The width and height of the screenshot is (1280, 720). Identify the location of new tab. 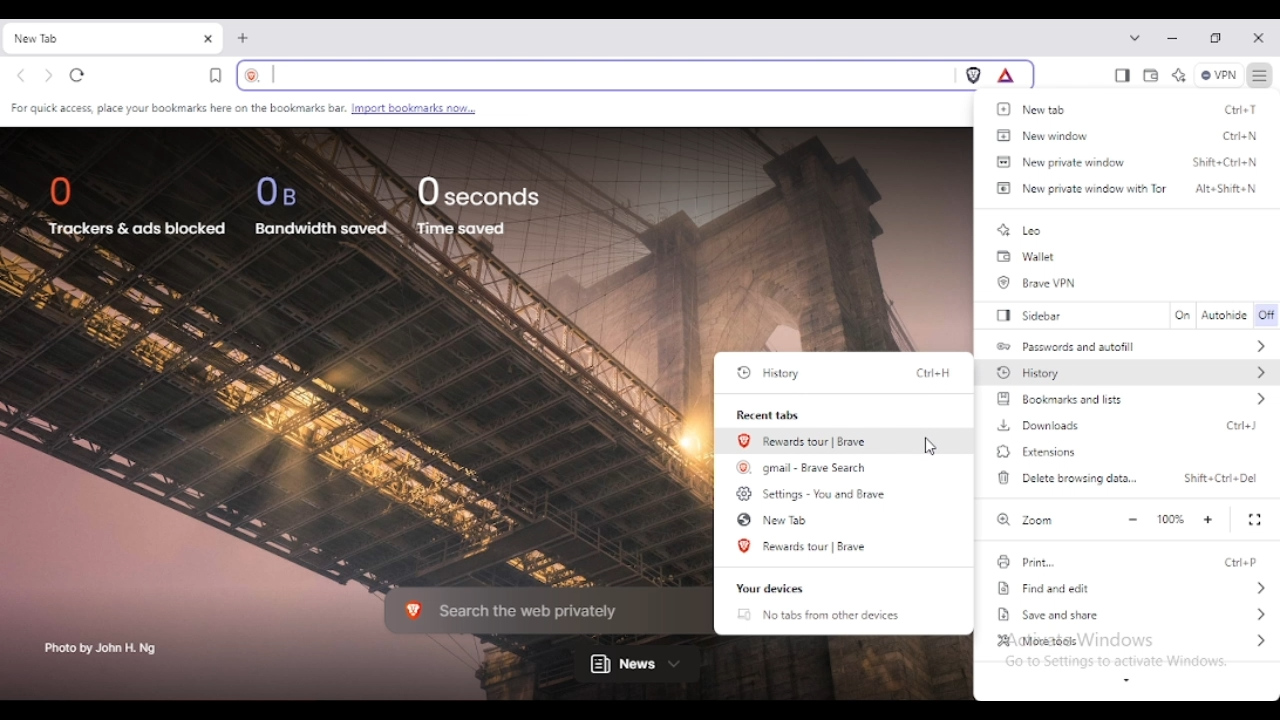
(1035, 109).